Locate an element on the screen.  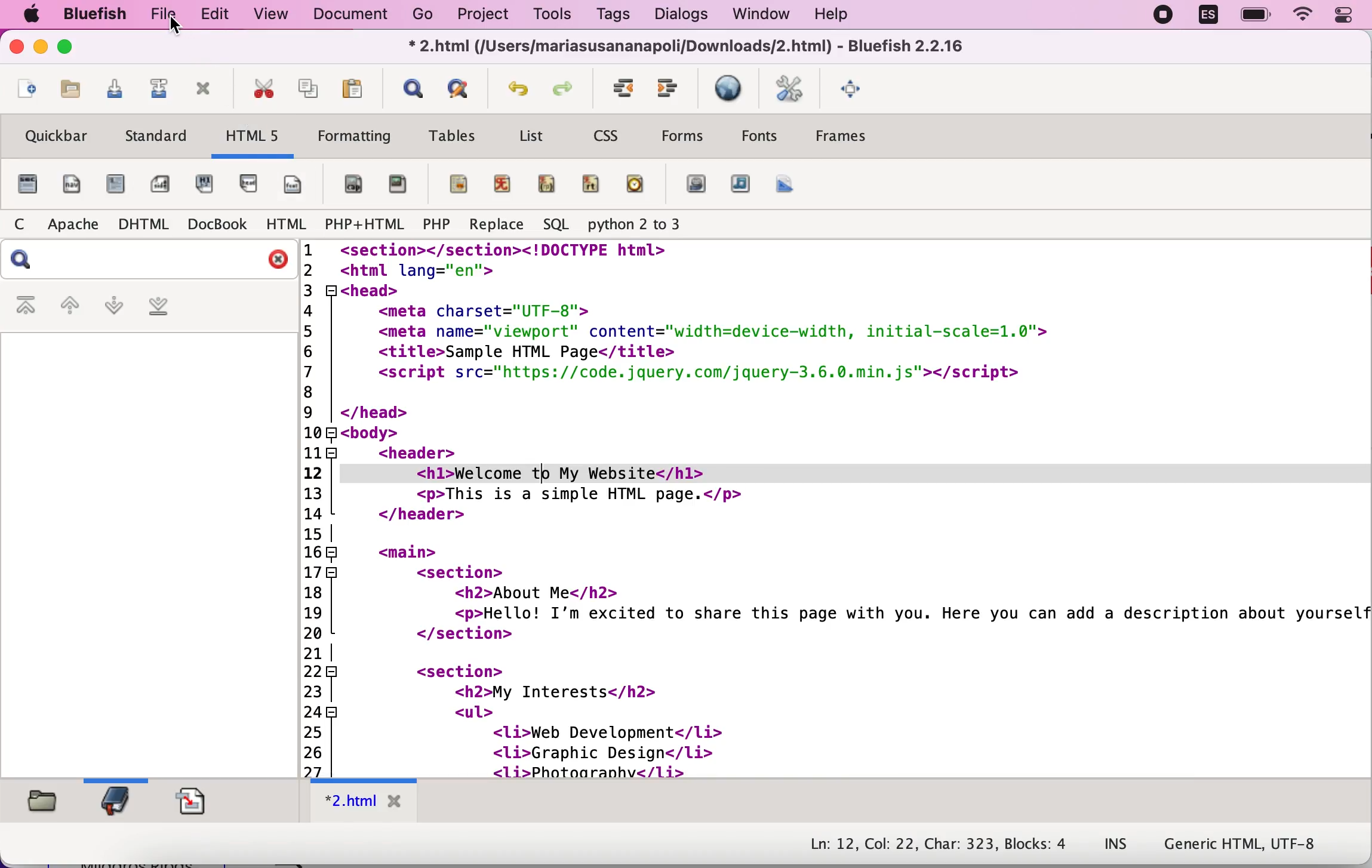
minimize is located at coordinates (42, 47).